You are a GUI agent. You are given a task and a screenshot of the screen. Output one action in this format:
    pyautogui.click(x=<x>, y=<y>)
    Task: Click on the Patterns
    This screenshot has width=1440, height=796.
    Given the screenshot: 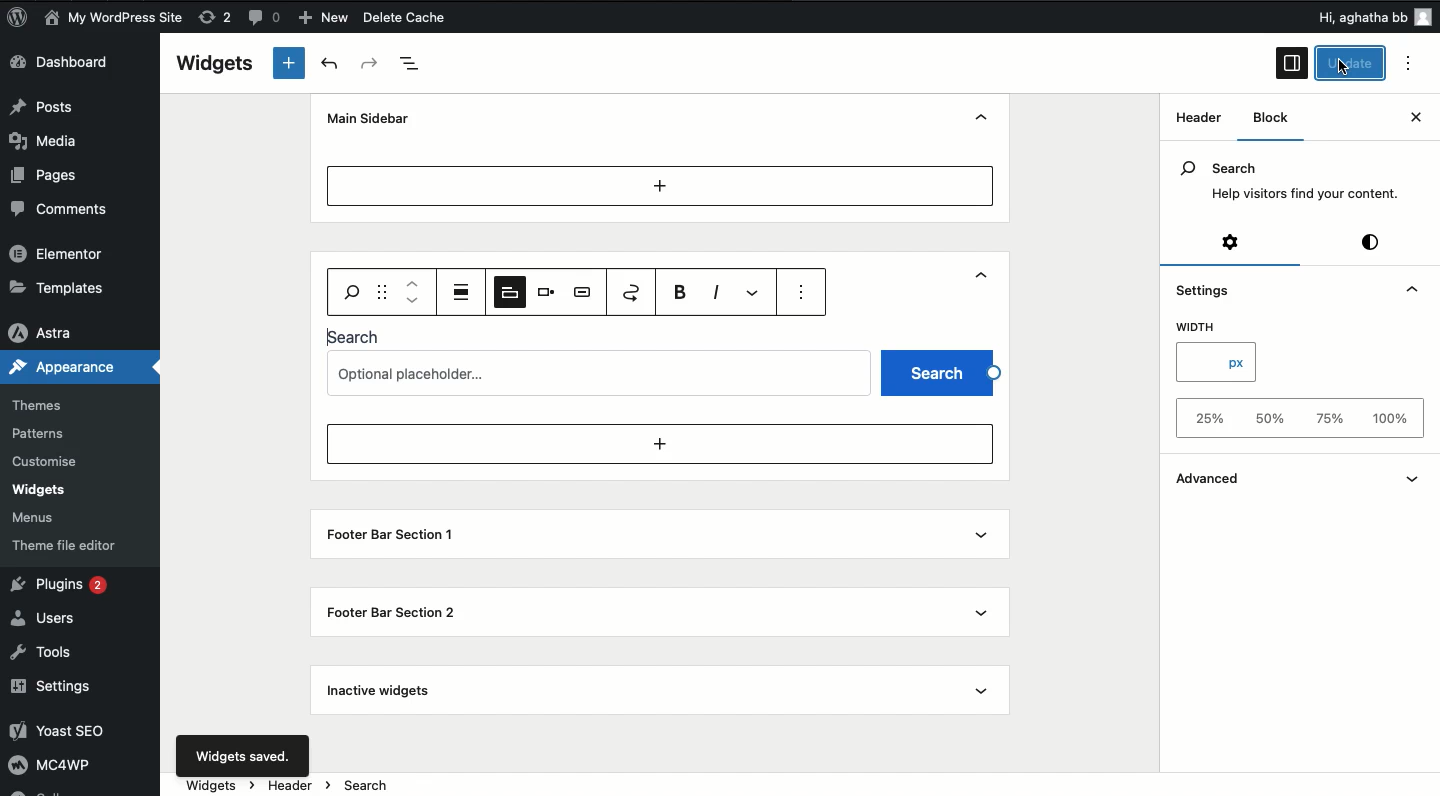 What is the action you would take?
    pyautogui.click(x=44, y=434)
    